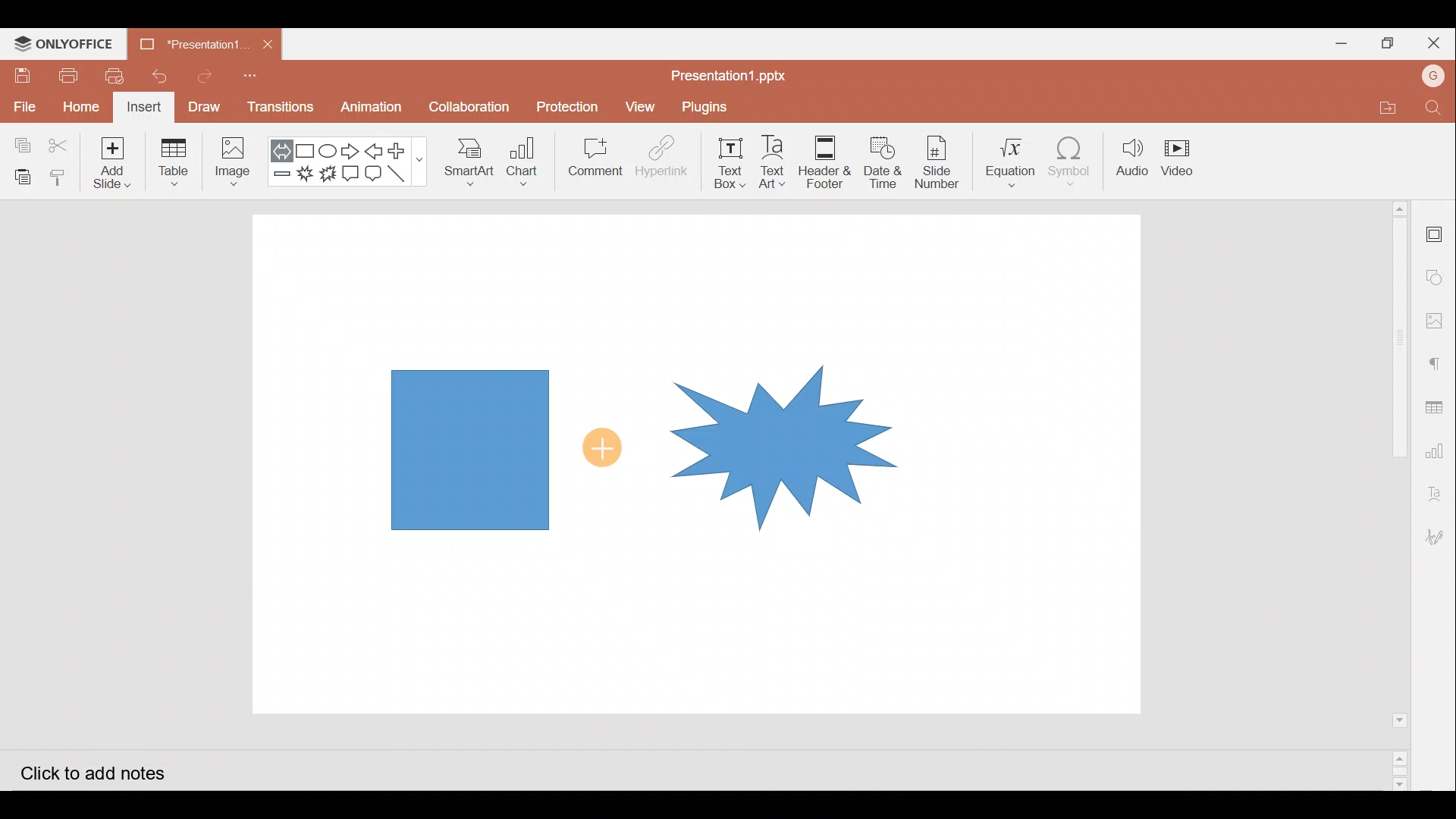 This screenshot has width=1456, height=819. Describe the element at coordinates (733, 162) in the screenshot. I see `Text box` at that location.